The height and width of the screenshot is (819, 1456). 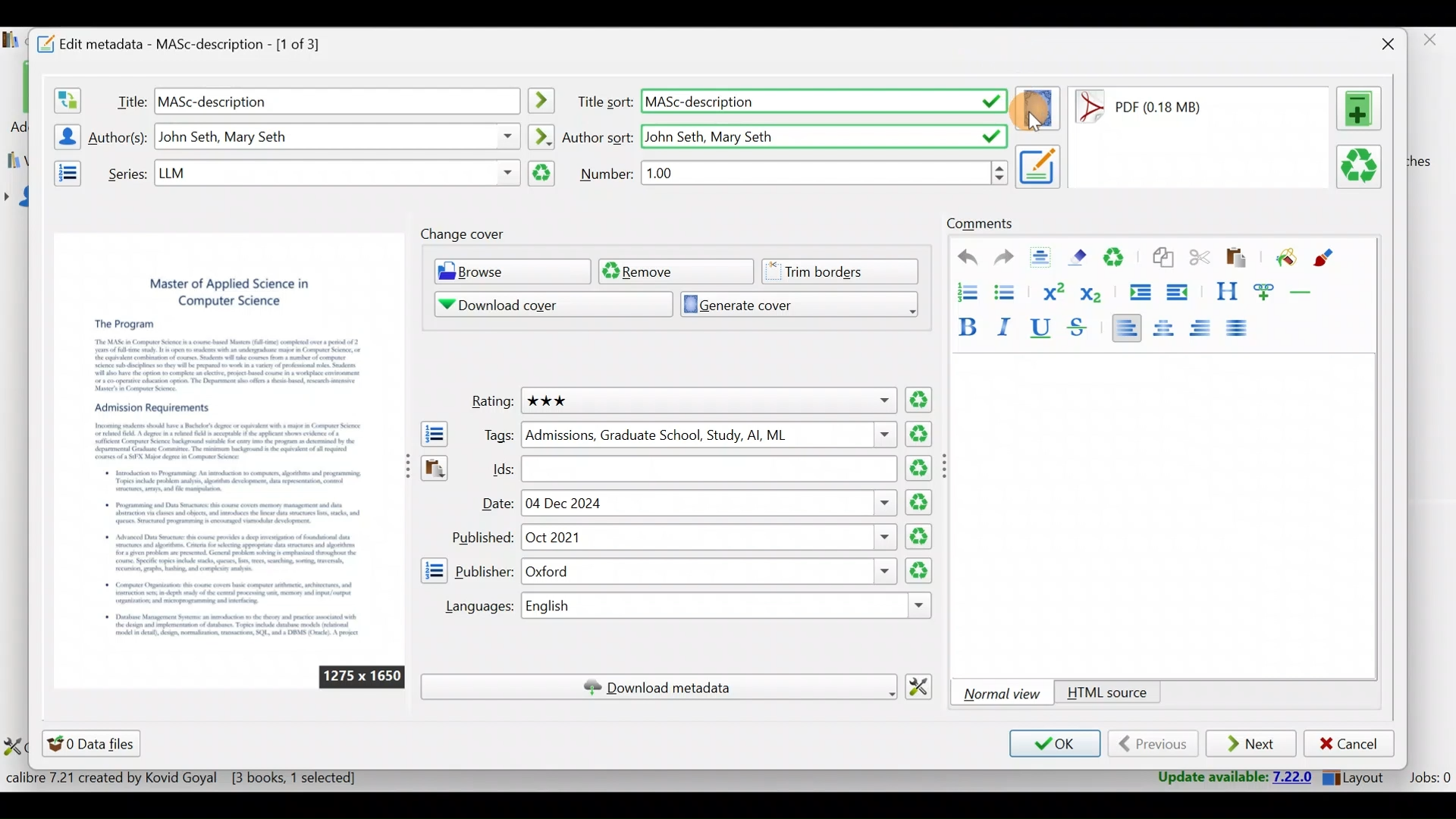 What do you see at coordinates (730, 607) in the screenshot?
I see `` at bounding box center [730, 607].